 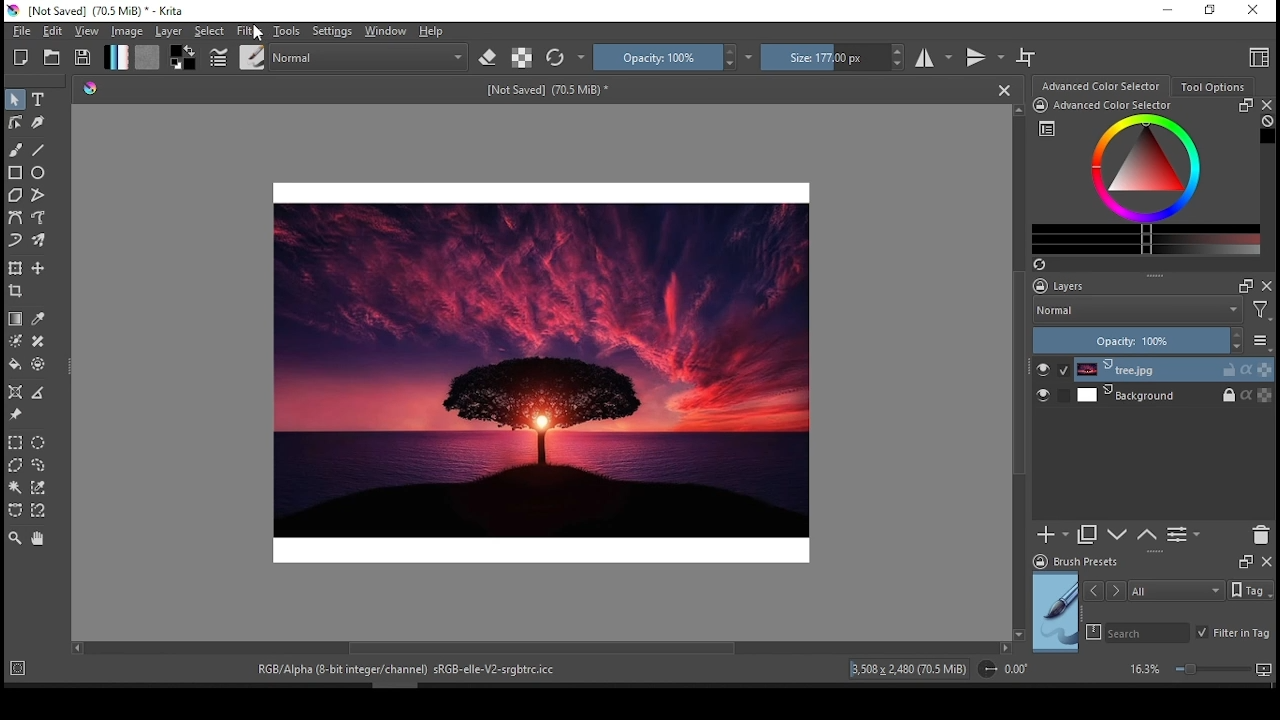 I want to click on draw a gradient, so click(x=15, y=318).